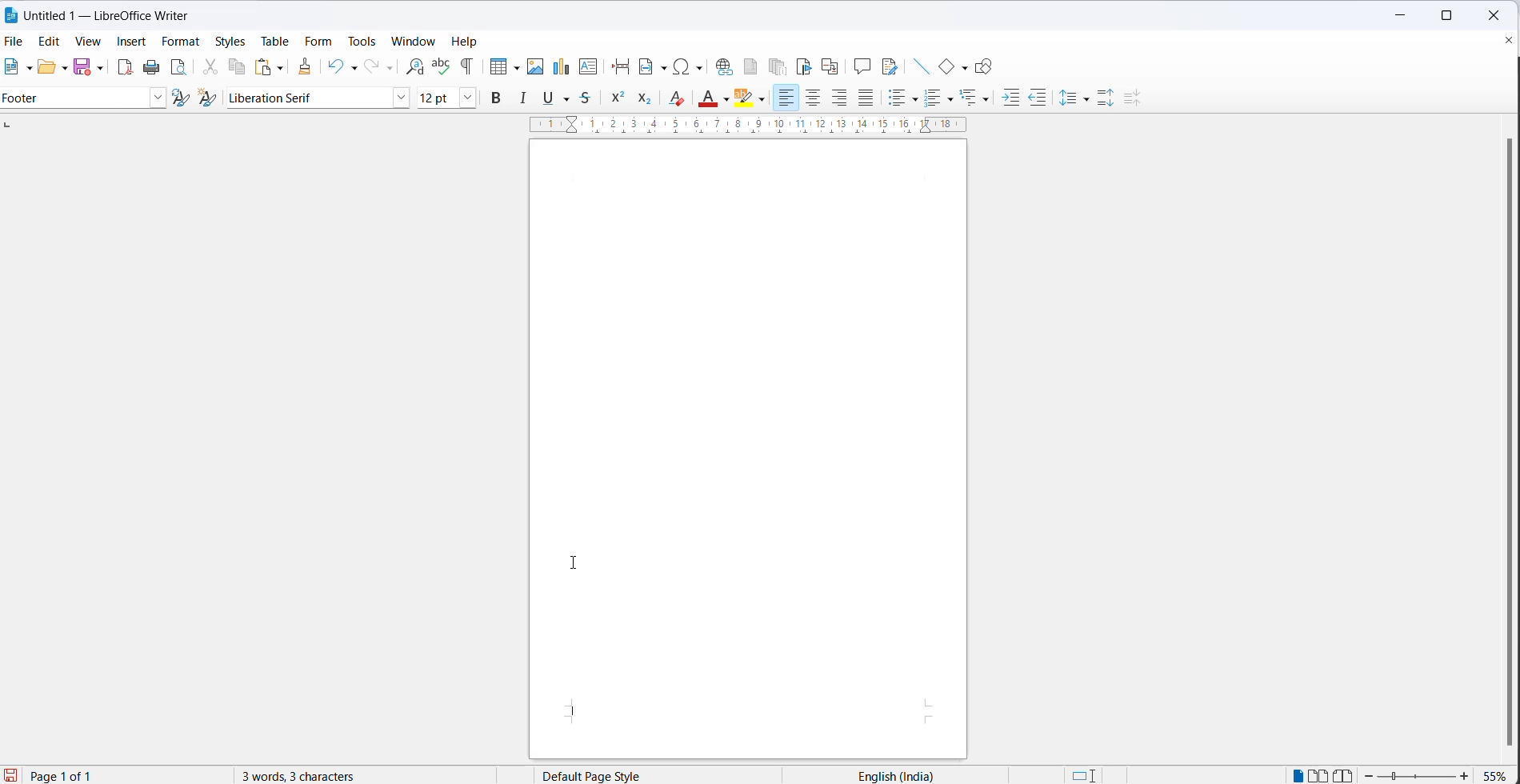 This screenshot has width=1520, height=784. Describe the element at coordinates (590, 98) in the screenshot. I see `strikethrough` at that location.